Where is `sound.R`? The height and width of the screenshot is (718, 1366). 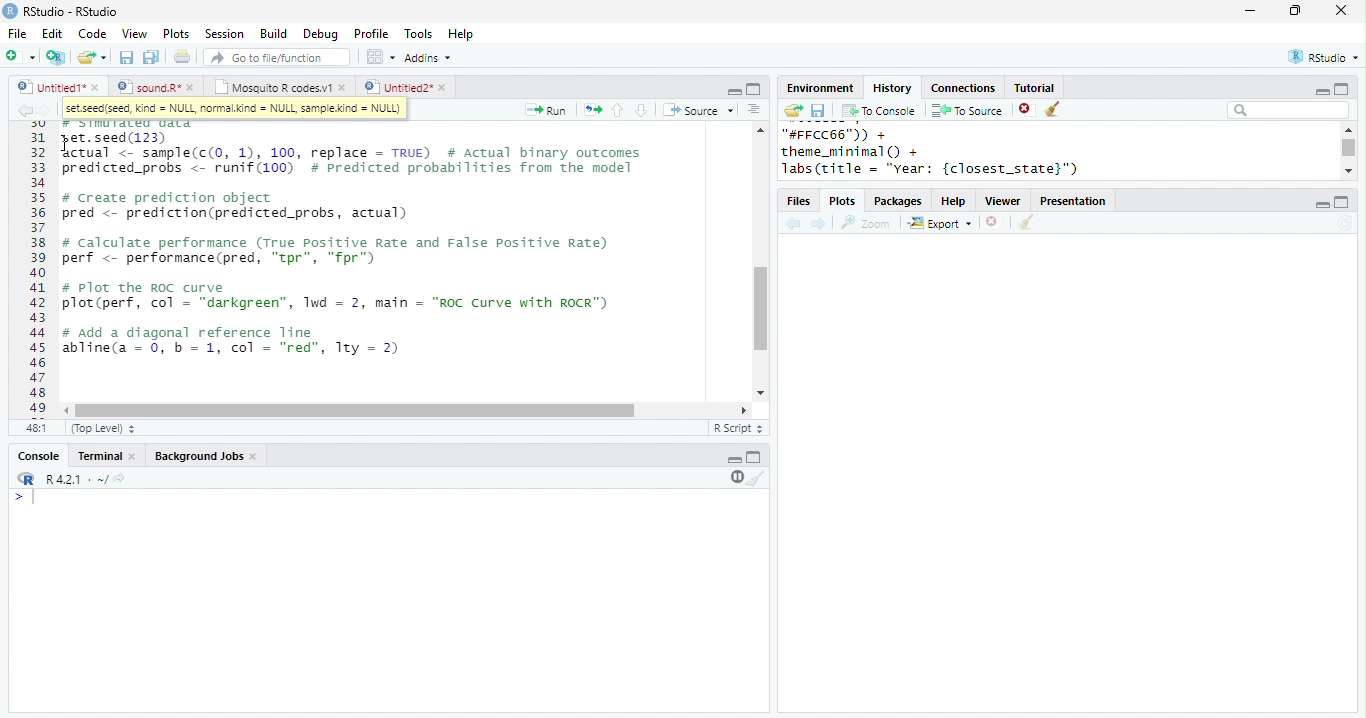 sound.R is located at coordinates (149, 87).